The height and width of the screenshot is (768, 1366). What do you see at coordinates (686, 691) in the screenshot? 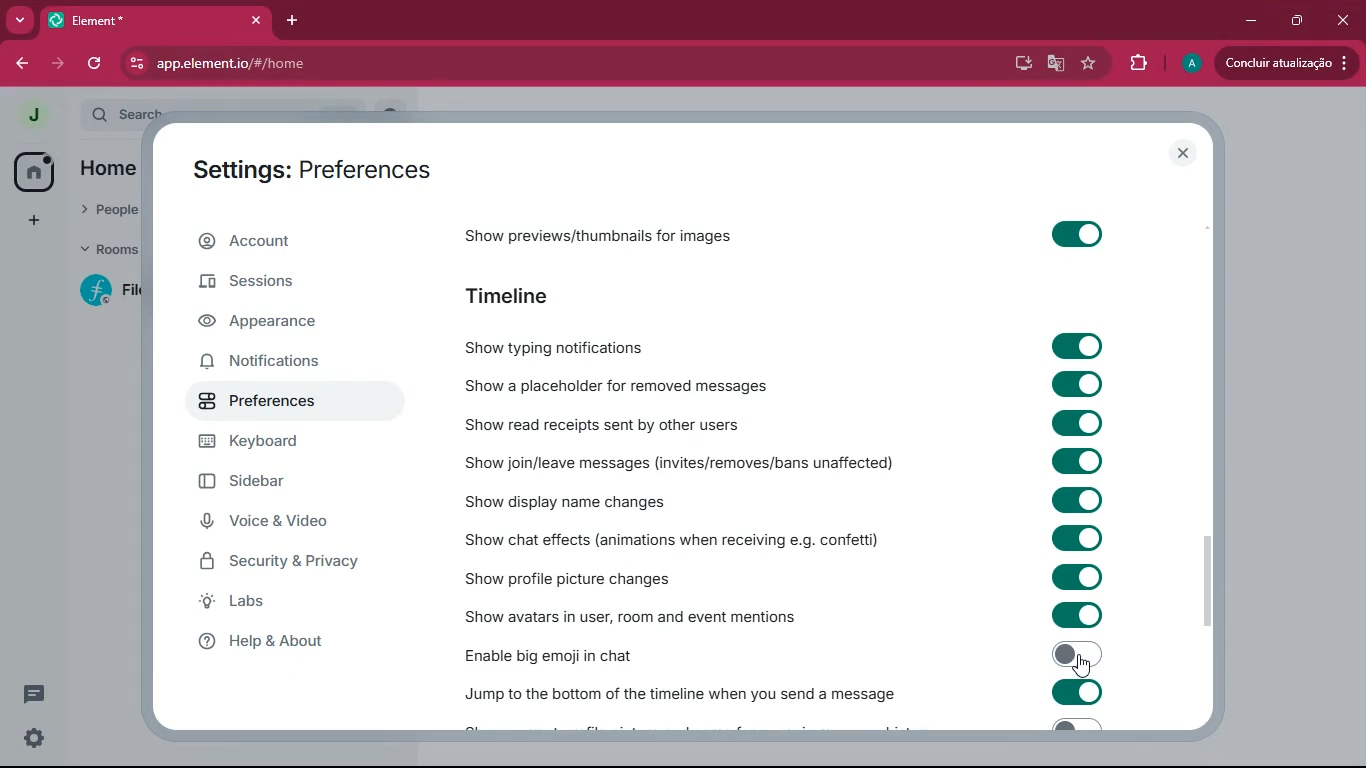
I see `jump to the bottom of the timeline when you send a message` at bounding box center [686, 691].